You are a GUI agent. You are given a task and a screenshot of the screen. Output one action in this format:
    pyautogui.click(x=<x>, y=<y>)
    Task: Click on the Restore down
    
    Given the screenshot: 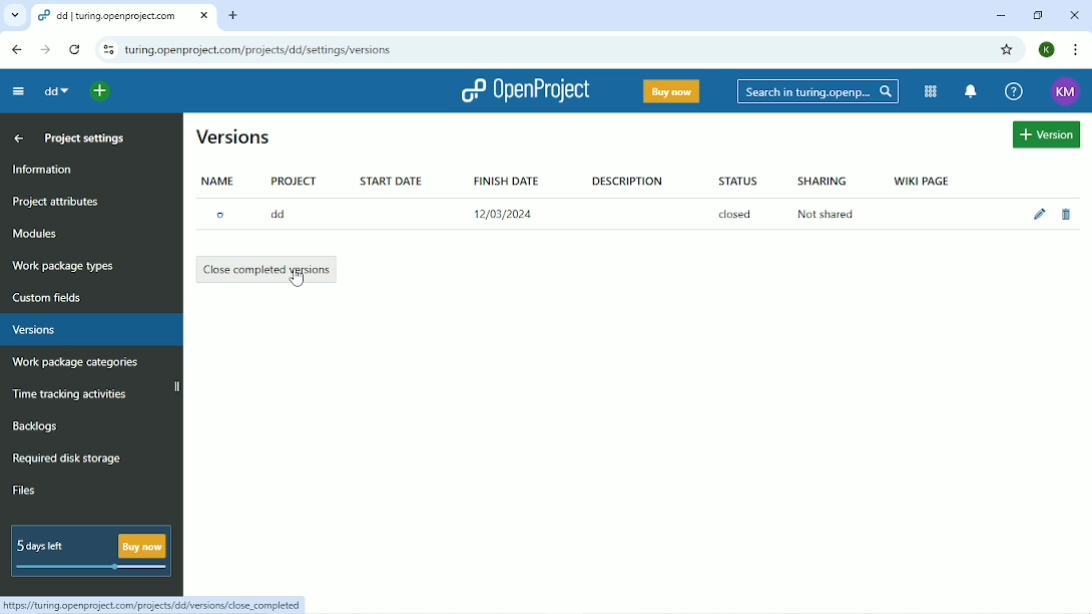 What is the action you would take?
    pyautogui.click(x=1041, y=16)
    